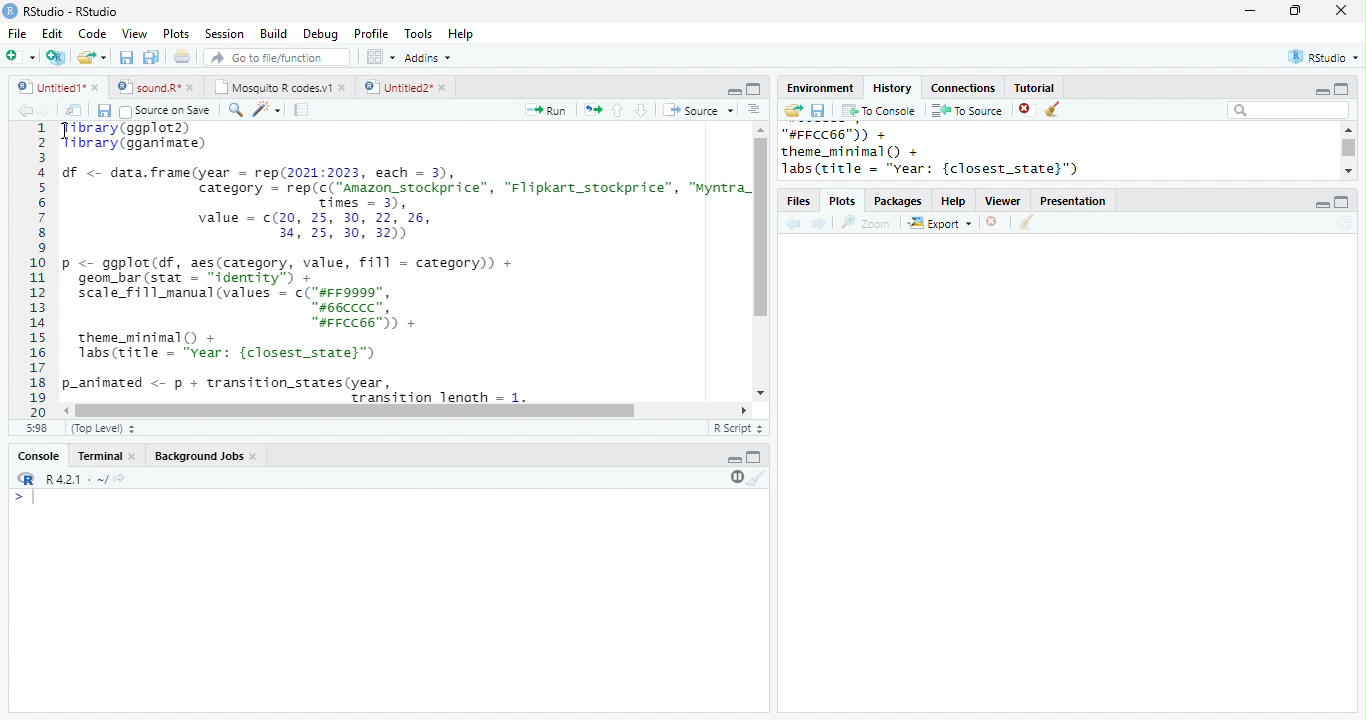 The width and height of the screenshot is (1366, 720). What do you see at coordinates (1349, 147) in the screenshot?
I see `scroll bar` at bounding box center [1349, 147].